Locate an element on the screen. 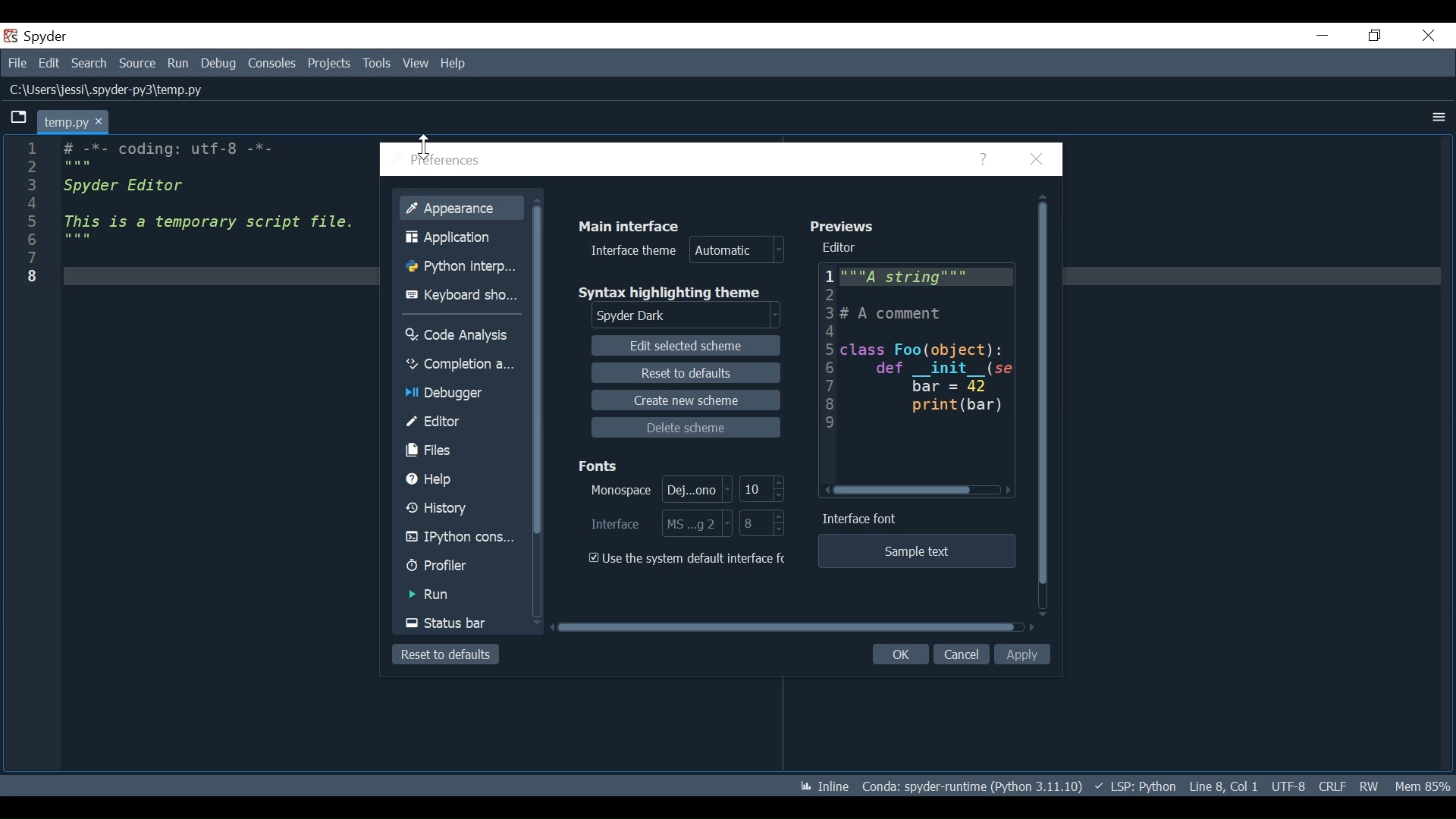  History is located at coordinates (461, 508).